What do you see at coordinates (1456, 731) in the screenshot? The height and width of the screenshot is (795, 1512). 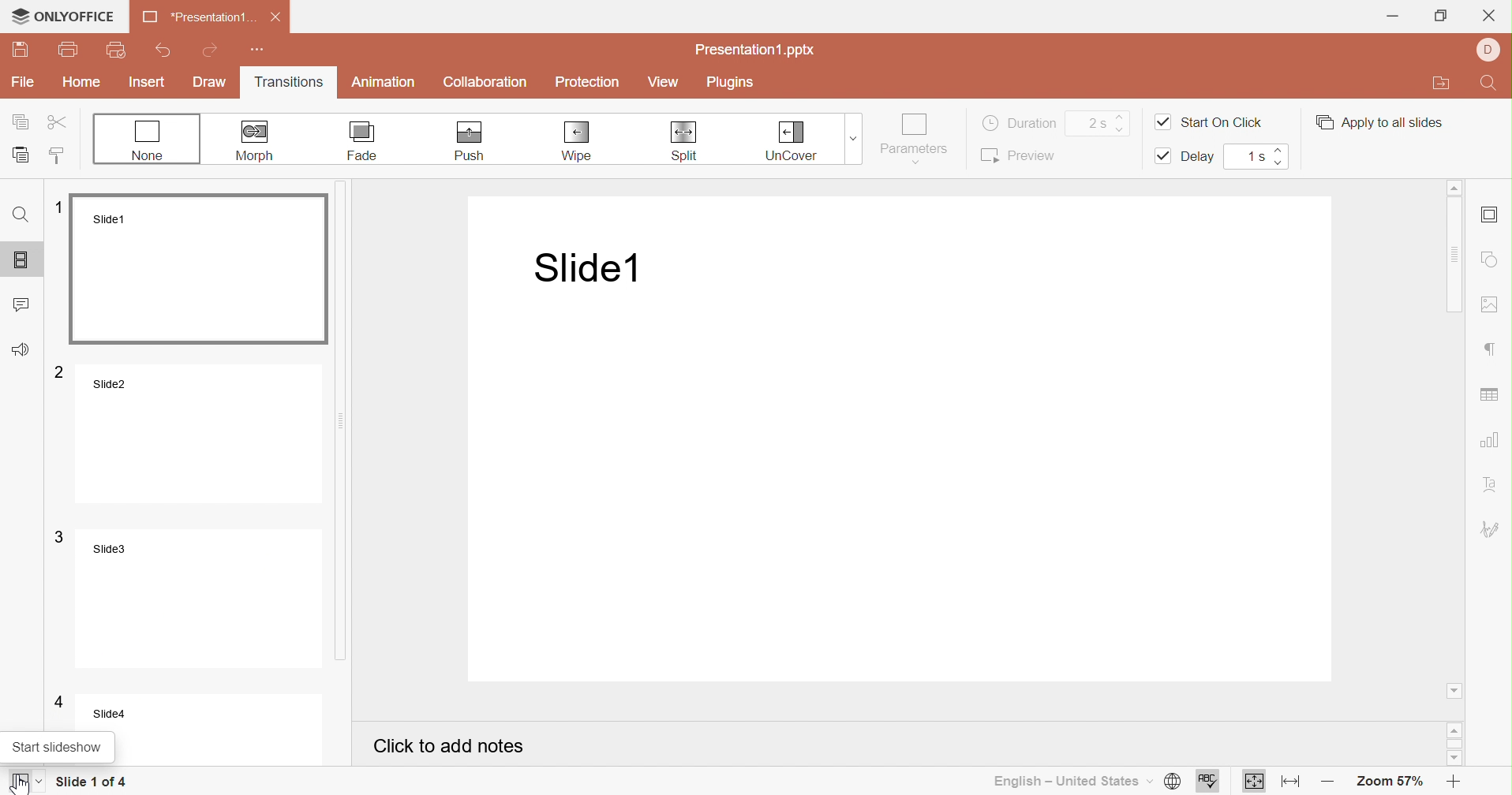 I see `Scroll up` at bounding box center [1456, 731].